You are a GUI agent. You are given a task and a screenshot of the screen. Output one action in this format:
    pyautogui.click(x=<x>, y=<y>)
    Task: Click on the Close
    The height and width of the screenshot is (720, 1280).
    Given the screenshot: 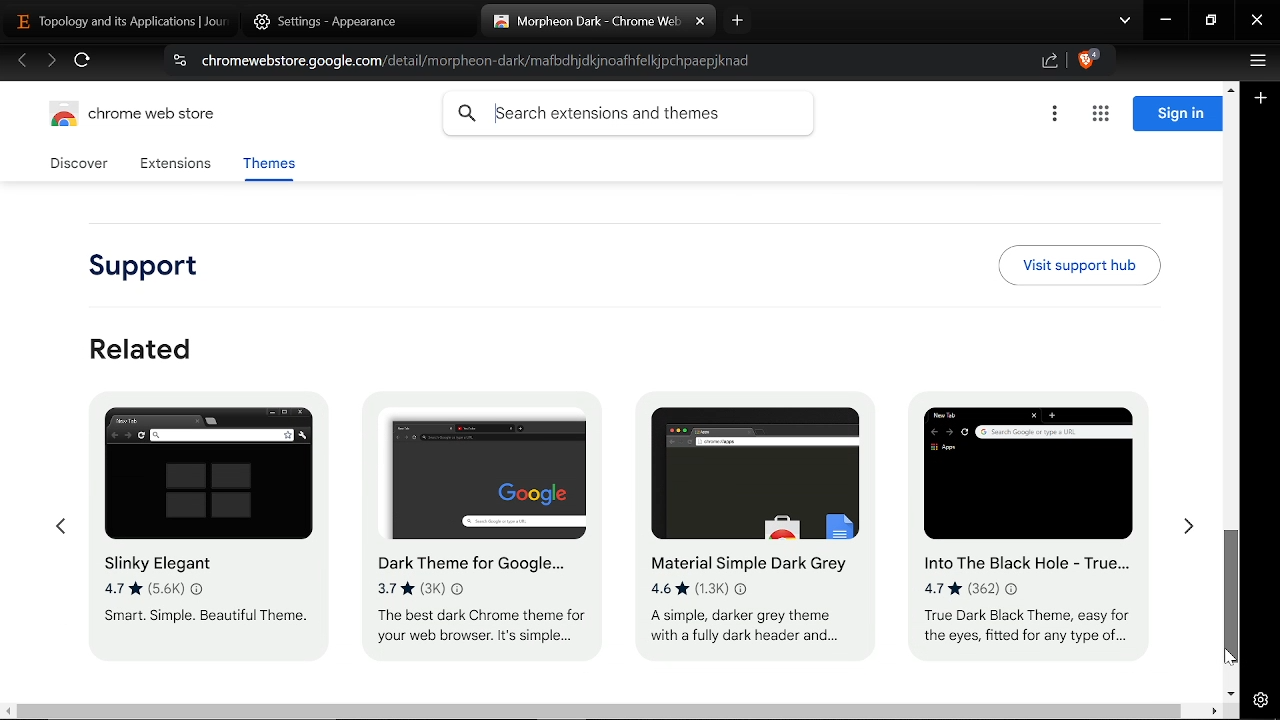 What is the action you would take?
    pyautogui.click(x=1257, y=22)
    